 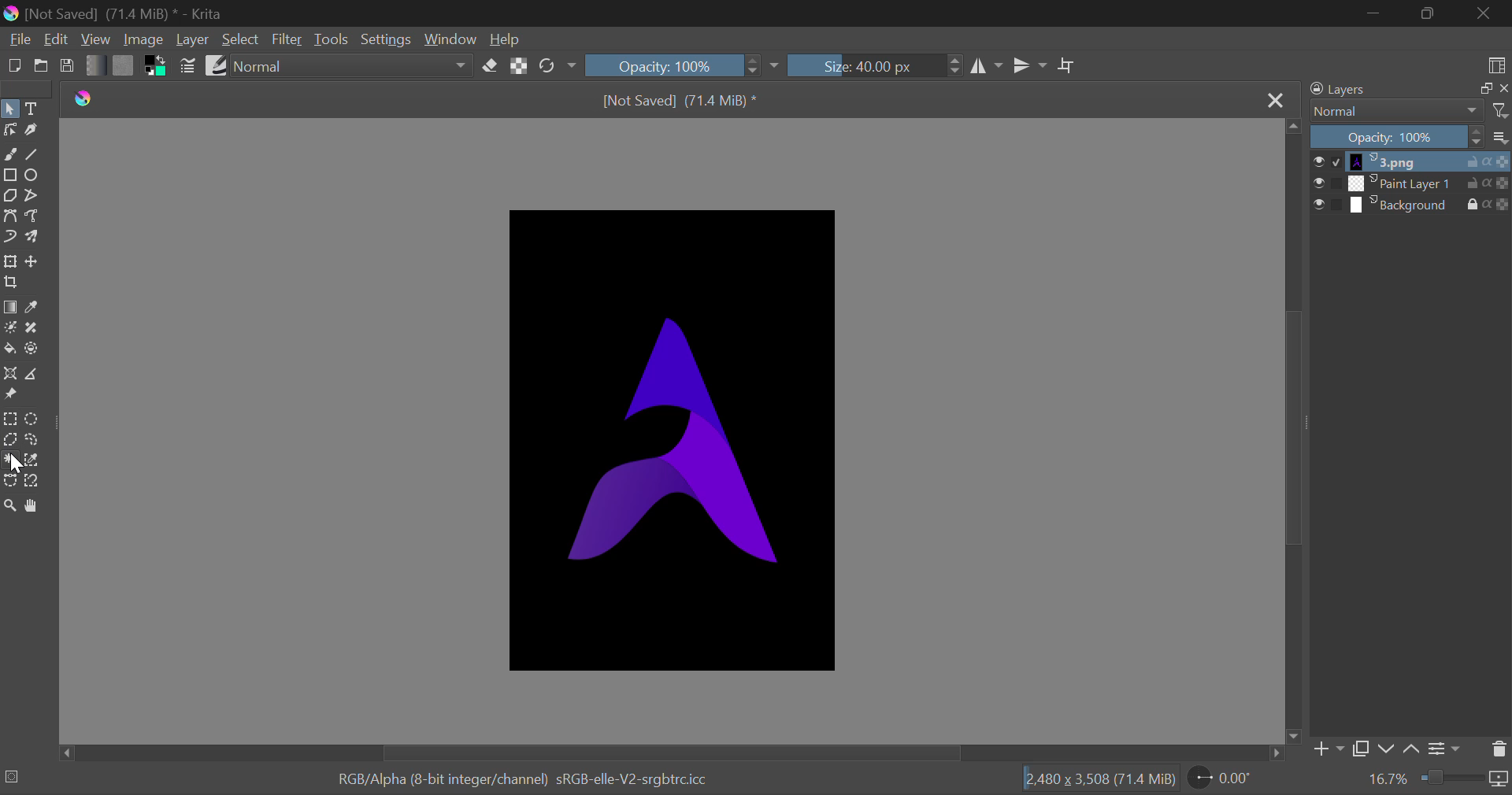 What do you see at coordinates (36, 217) in the screenshot?
I see `Freehand Path Tool` at bounding box center [36, 217].